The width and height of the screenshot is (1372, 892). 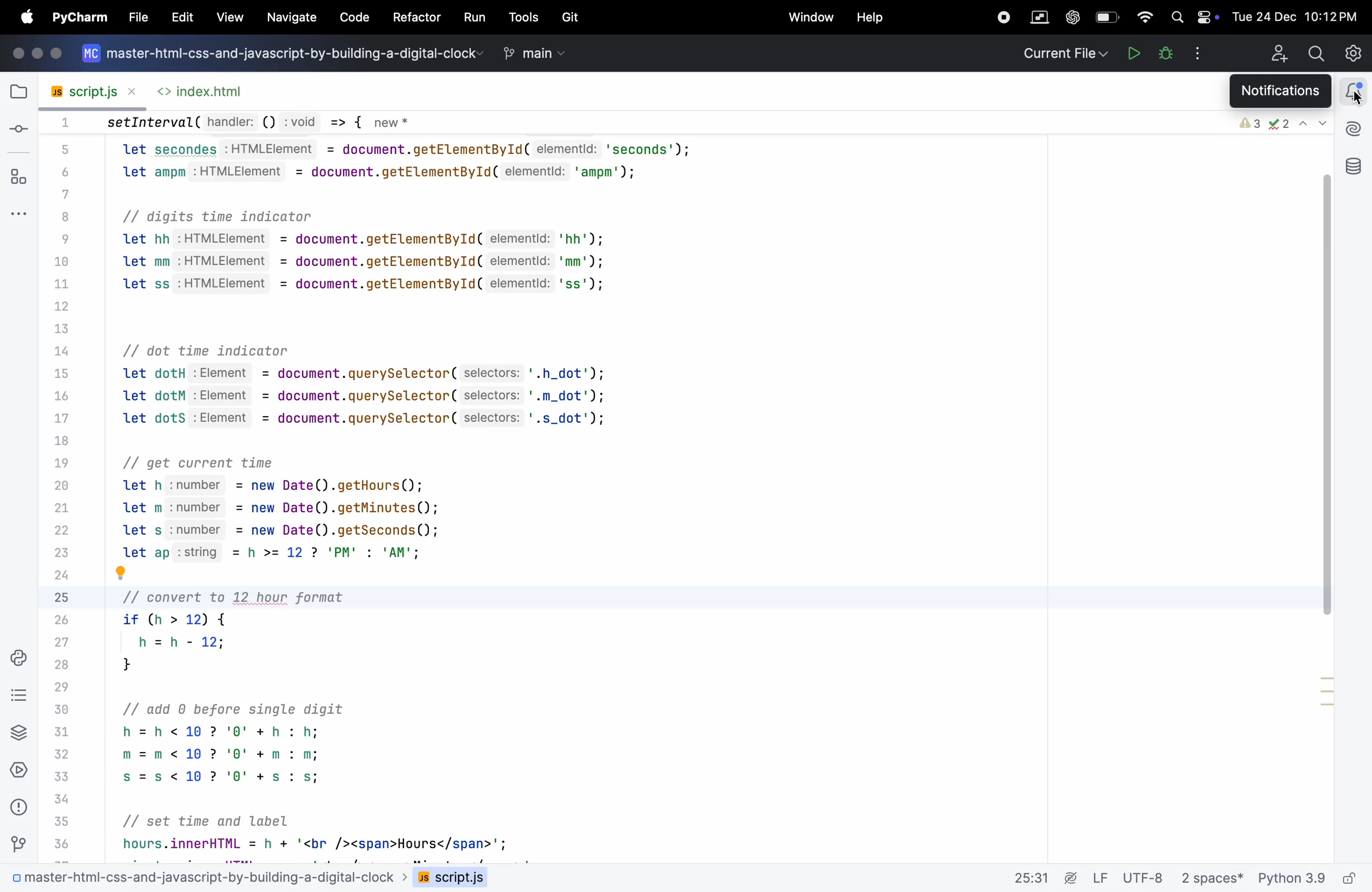 I want to click on Pycharm, so click(x=79, y=18).